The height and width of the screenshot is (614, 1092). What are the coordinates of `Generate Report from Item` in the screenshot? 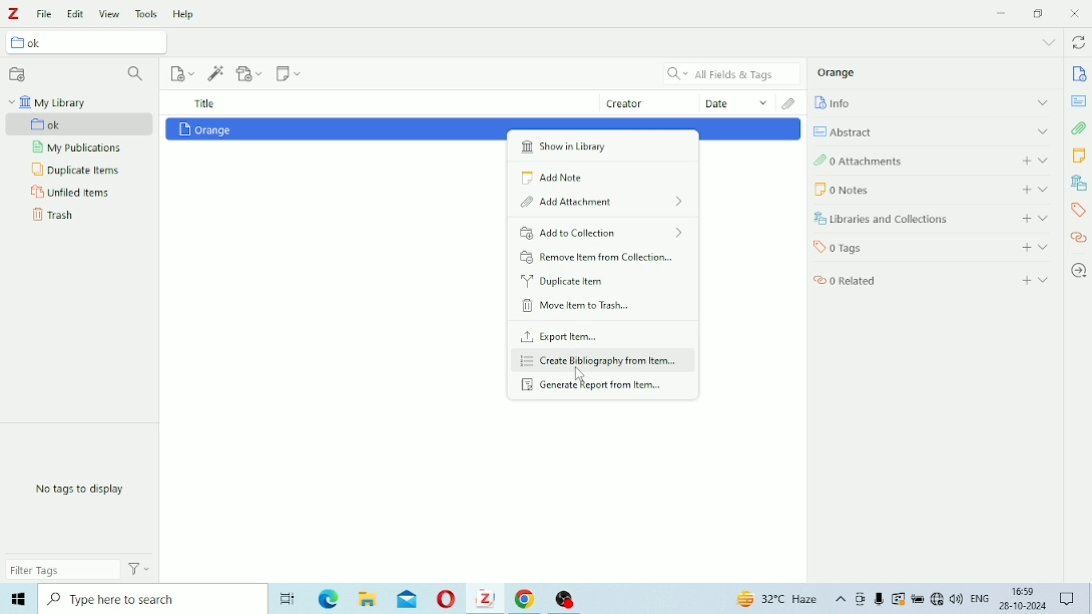 It's located at (595, 386).